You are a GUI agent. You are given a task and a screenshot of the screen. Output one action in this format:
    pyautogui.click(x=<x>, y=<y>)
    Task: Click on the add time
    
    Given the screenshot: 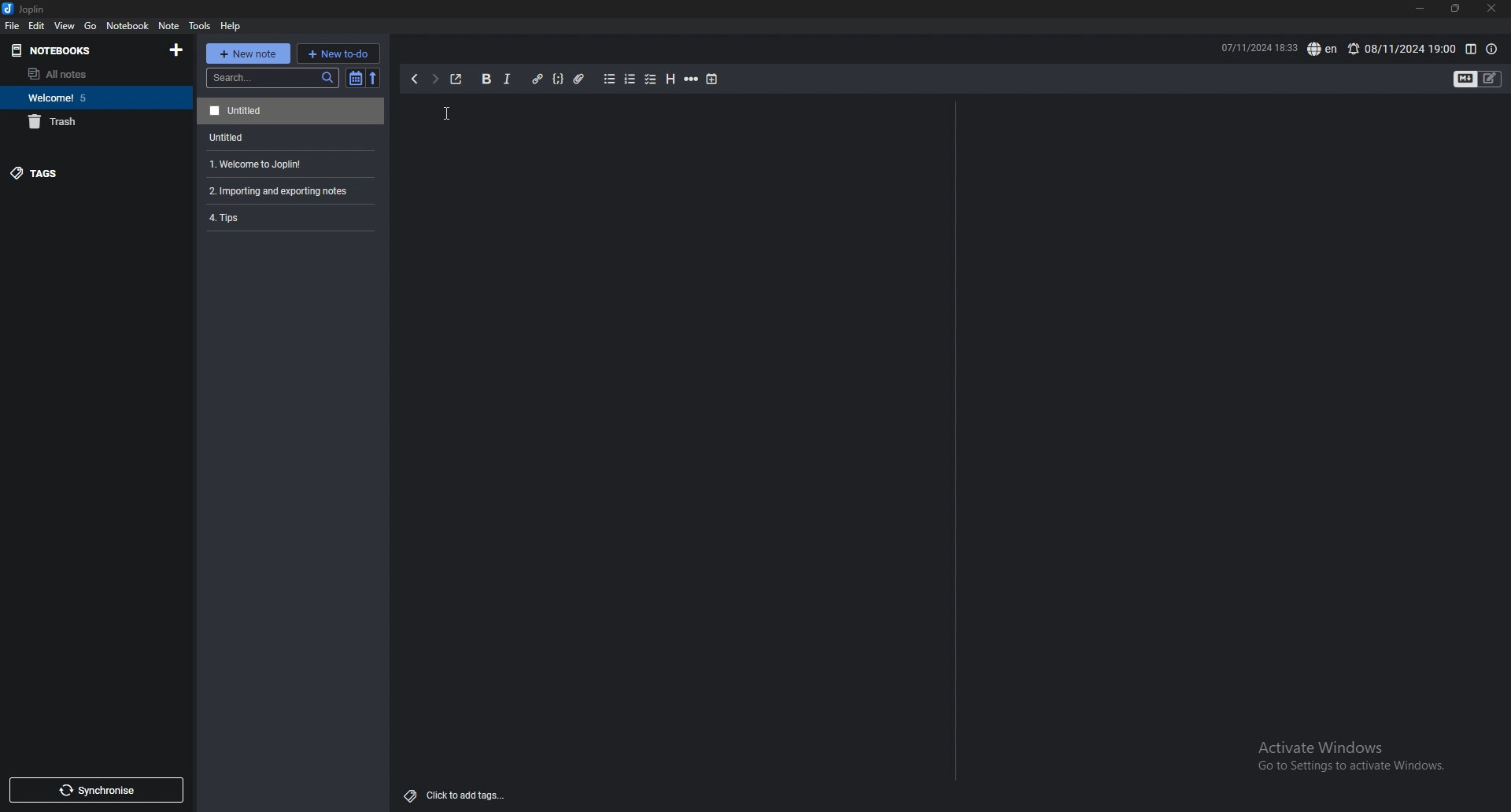 What is the action you would take?
    pyautogui.click(x=713, y=79)
    